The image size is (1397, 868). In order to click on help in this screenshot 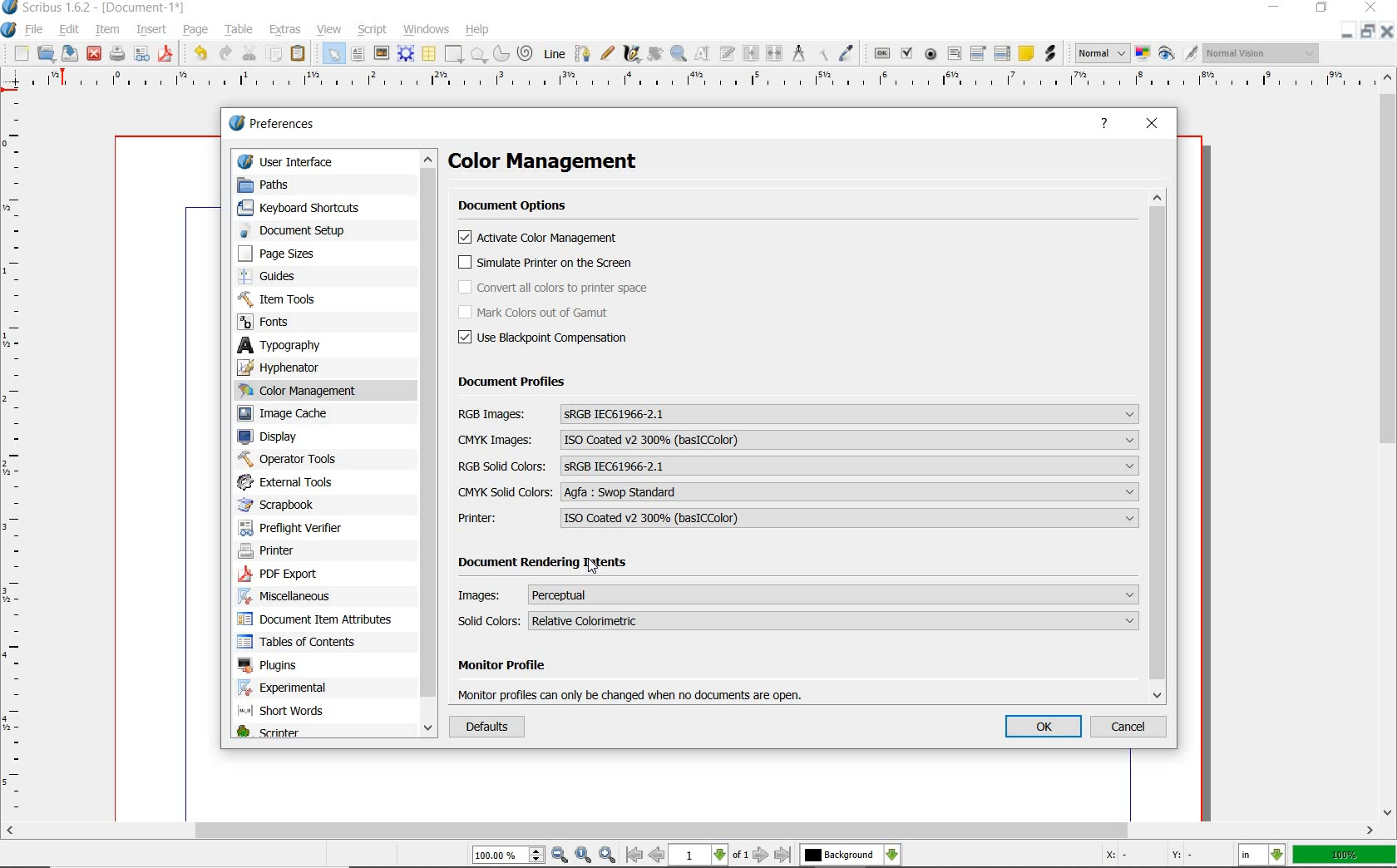, I will do `click(479, 29)`.